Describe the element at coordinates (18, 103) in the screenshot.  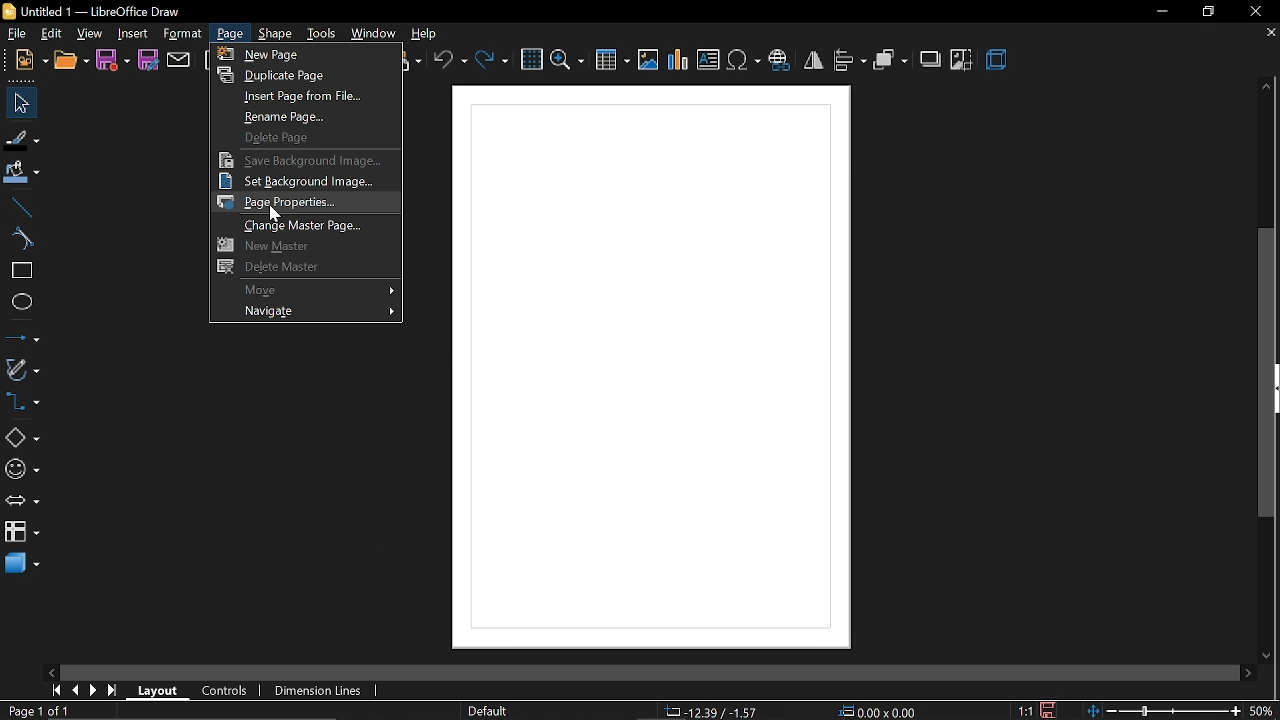
I see `select` at that location.